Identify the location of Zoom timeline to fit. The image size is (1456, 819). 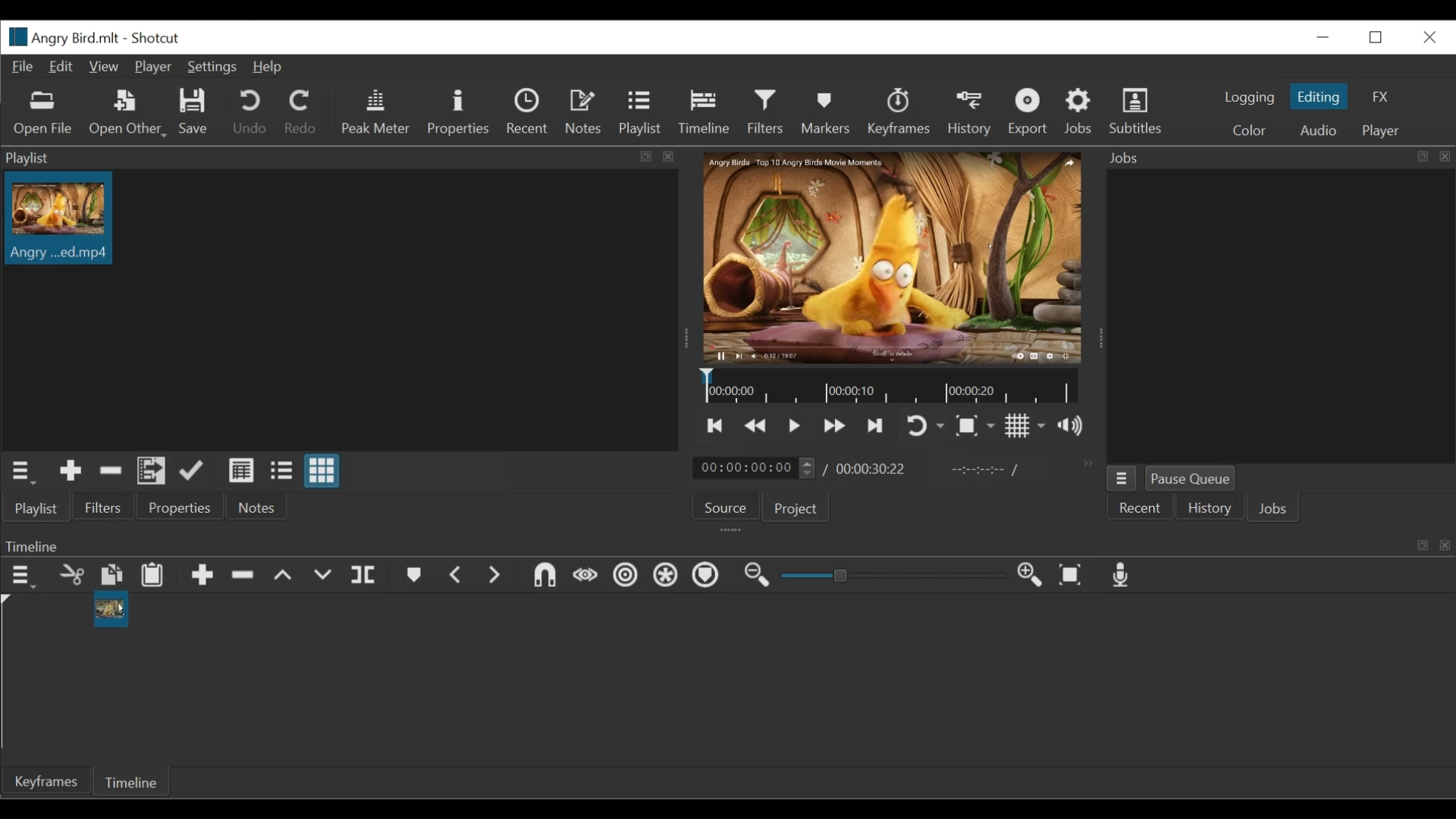
(1072, 576).